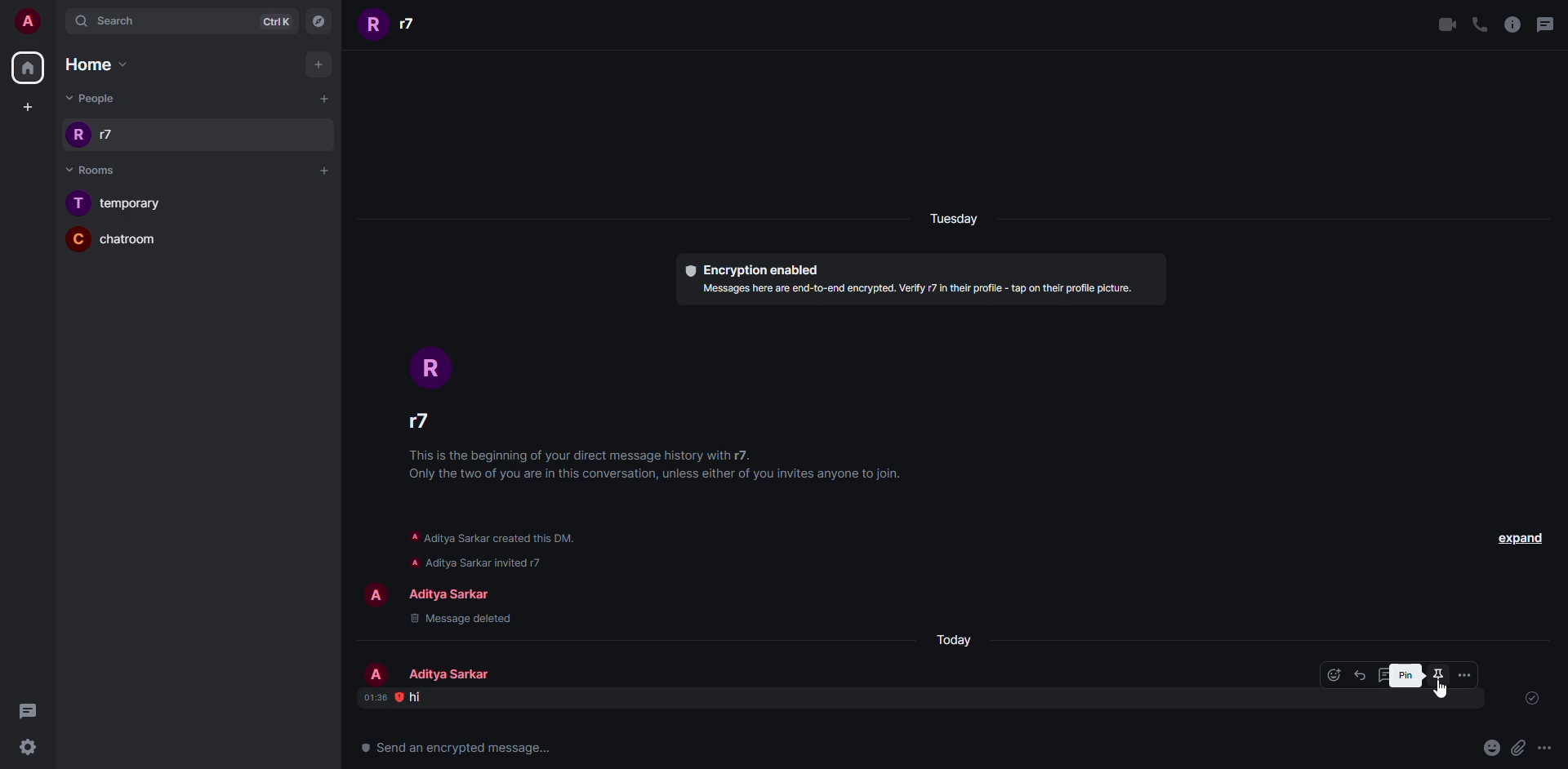 This screenshot has height=769, width=1568. I want to click on Cursor, so click(1442, 689).